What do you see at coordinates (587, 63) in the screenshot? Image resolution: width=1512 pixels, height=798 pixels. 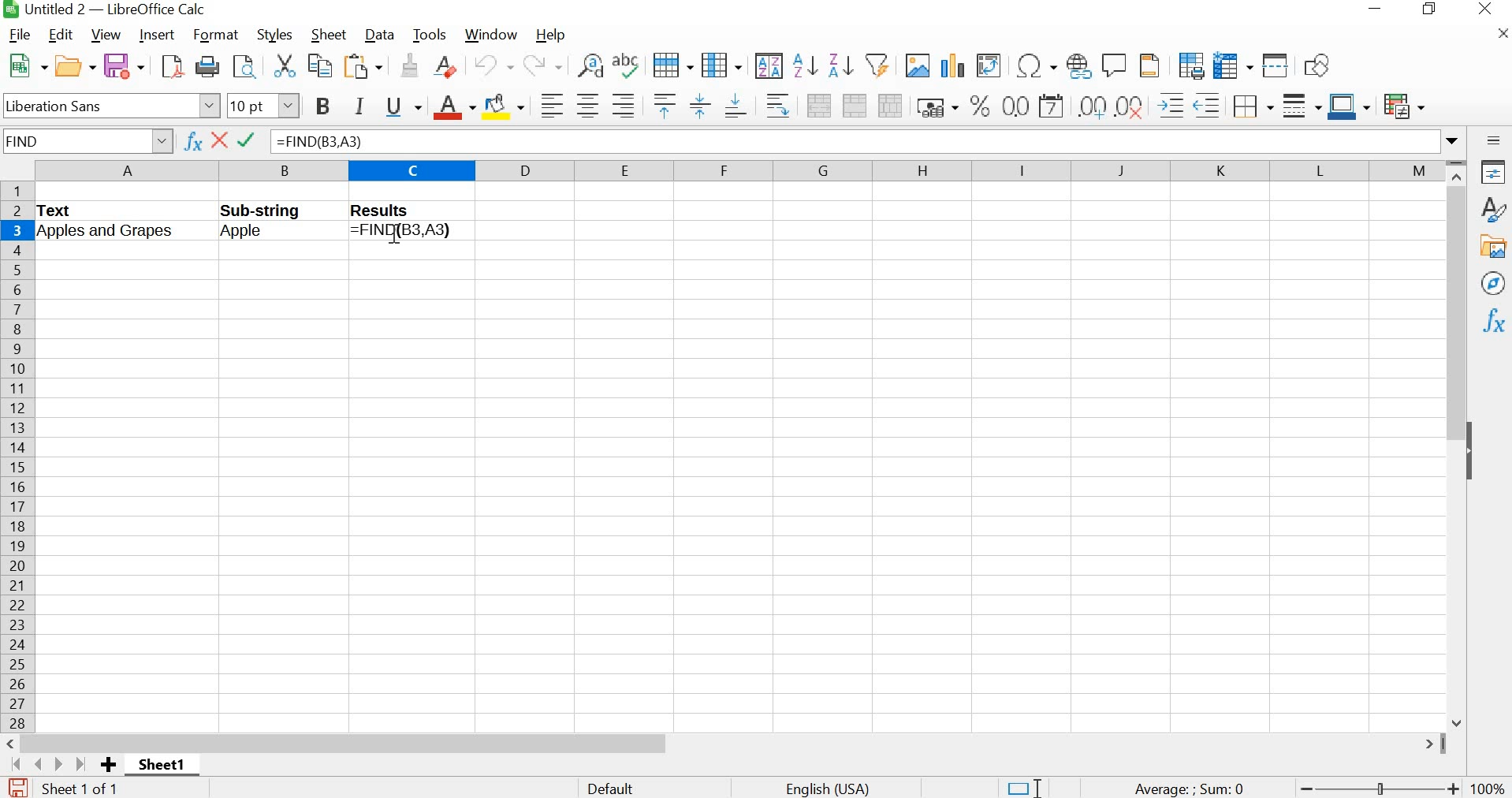 I see `find and replace` at bounding box center [587, 63].